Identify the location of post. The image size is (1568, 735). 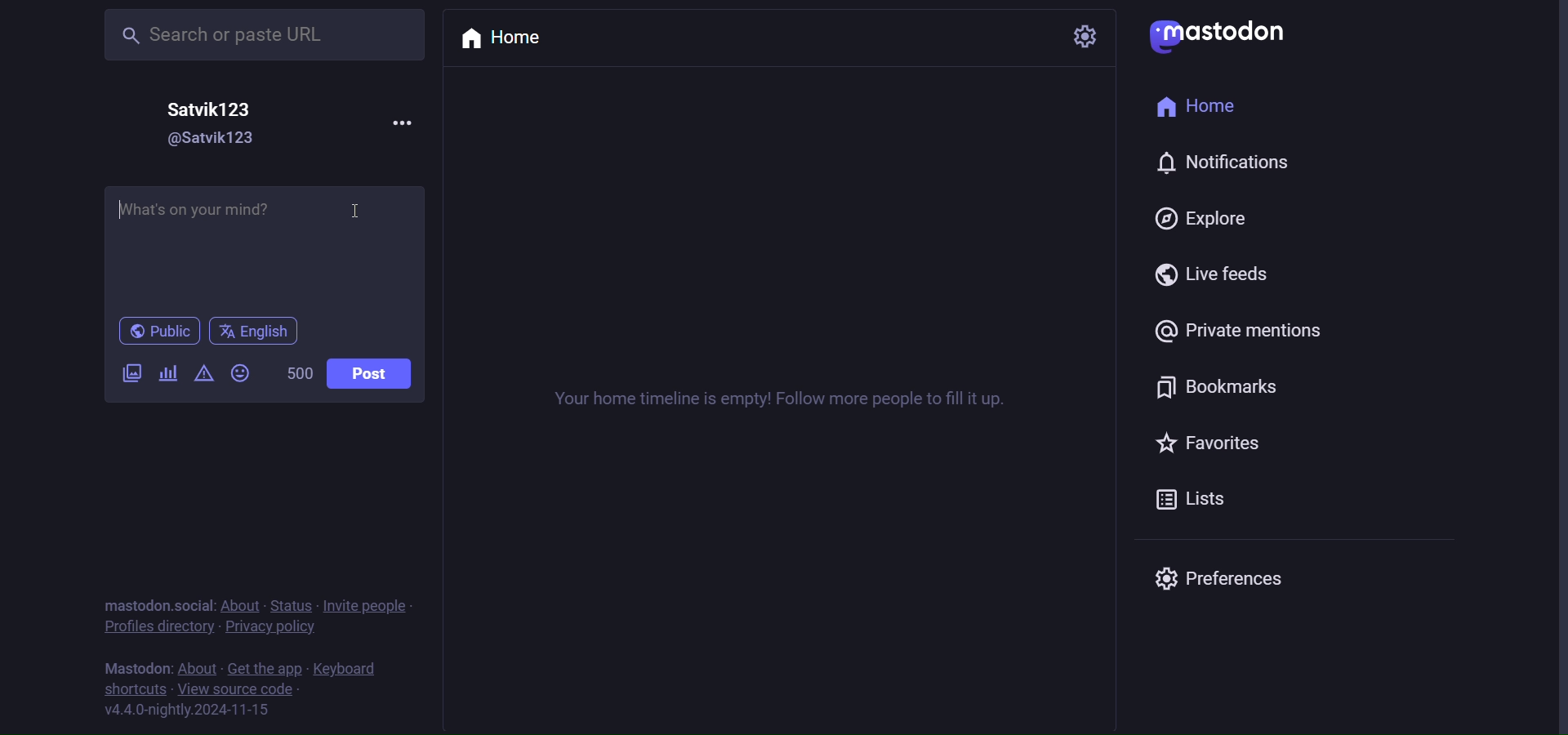
(369, 376).